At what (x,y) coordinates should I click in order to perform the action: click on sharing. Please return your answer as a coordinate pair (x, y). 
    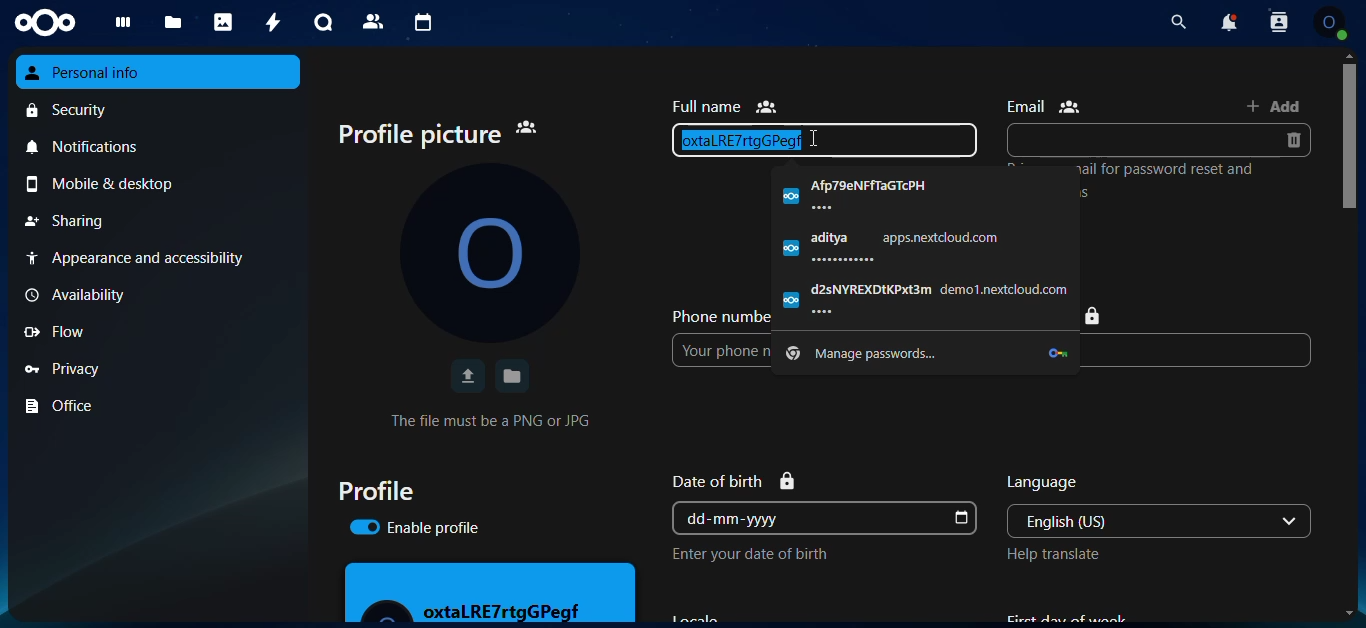
    Looking at the image, I should click on (159, 221).